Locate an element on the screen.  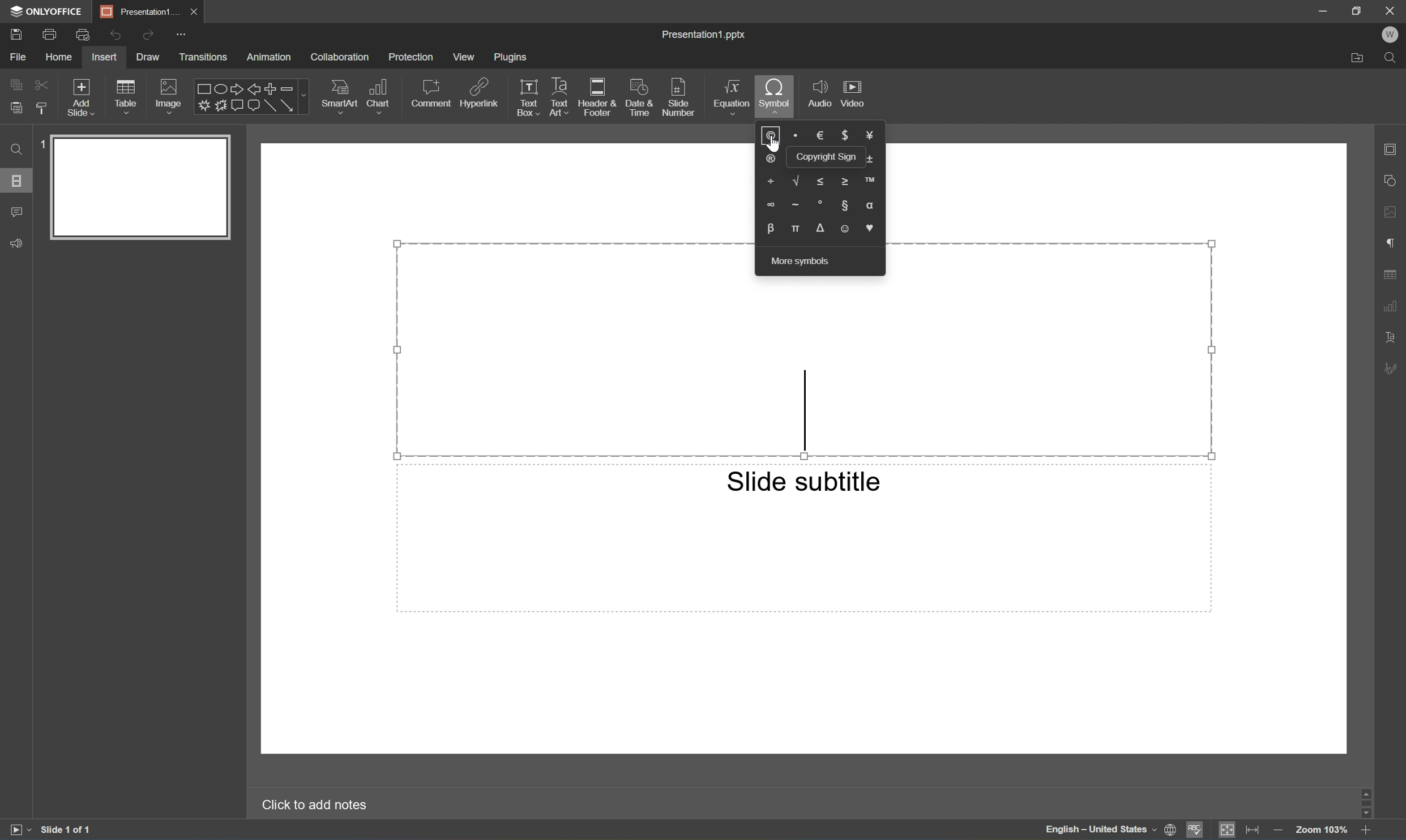
1 is located at coordinates (41, 143).